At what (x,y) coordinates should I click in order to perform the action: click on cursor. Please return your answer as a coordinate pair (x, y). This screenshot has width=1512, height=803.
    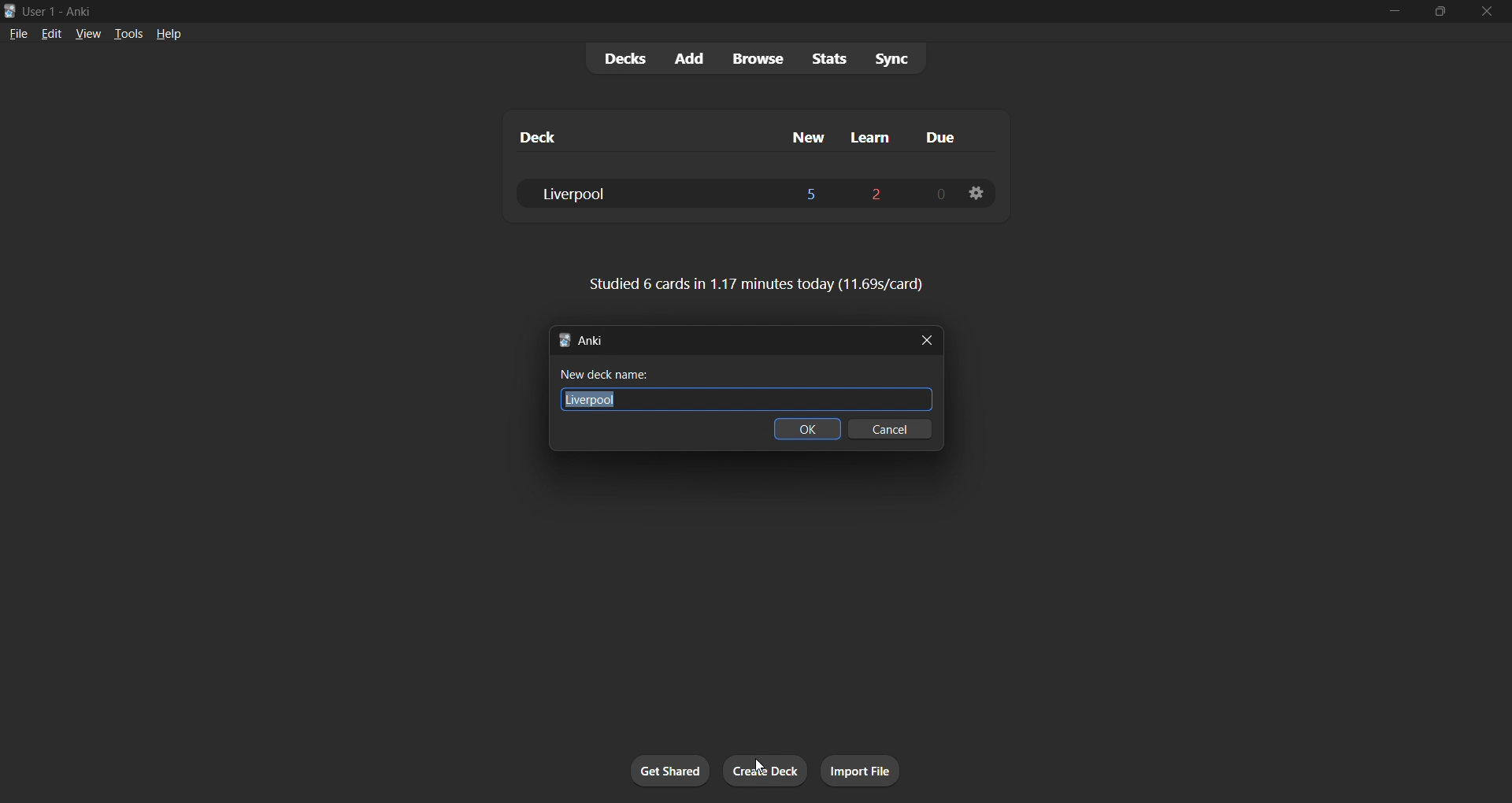
    Looking at the image, I should click on (758, 764).